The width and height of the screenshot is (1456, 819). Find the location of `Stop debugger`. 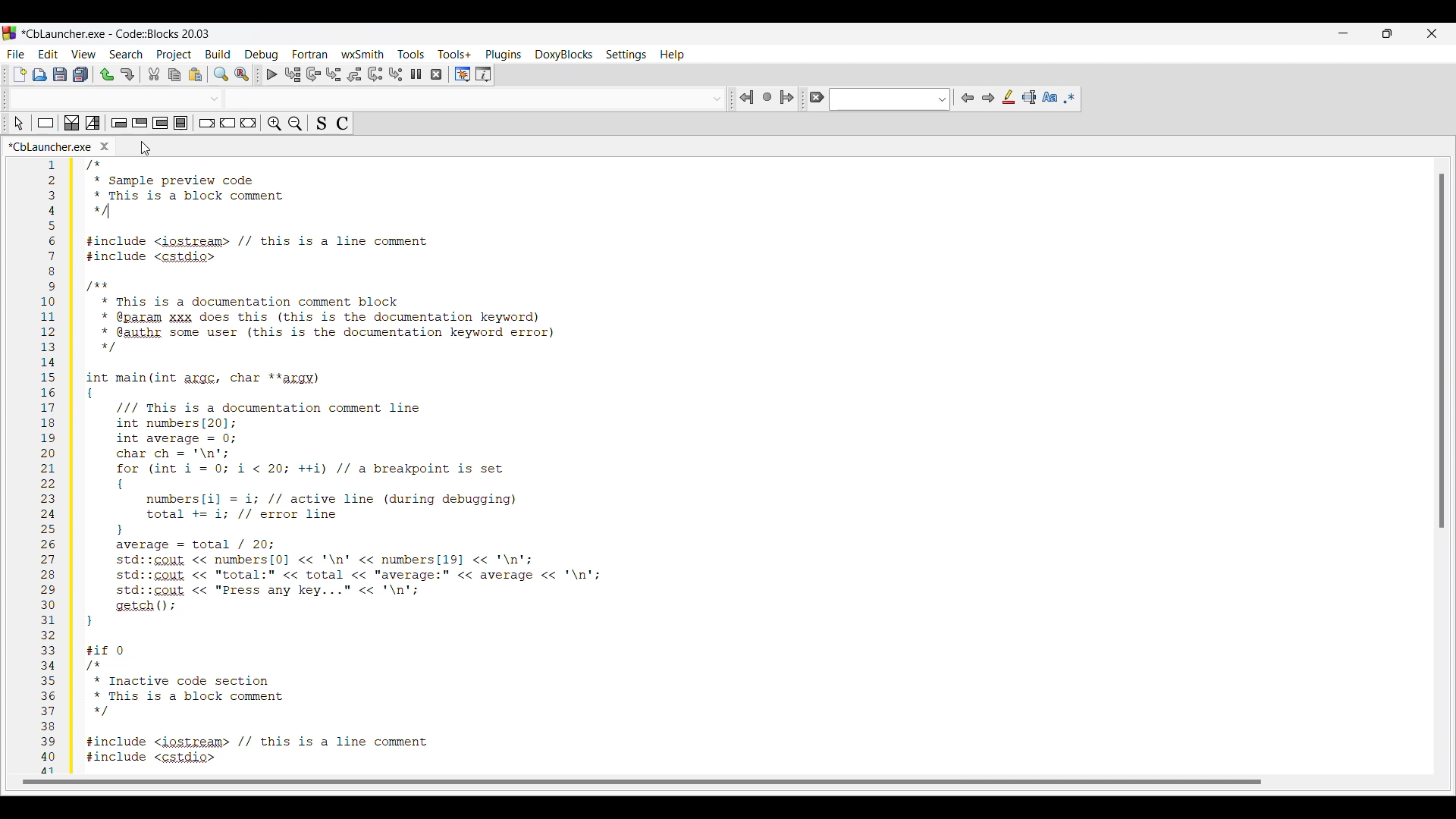

Stop debugger is located at coordinates (436, 74).